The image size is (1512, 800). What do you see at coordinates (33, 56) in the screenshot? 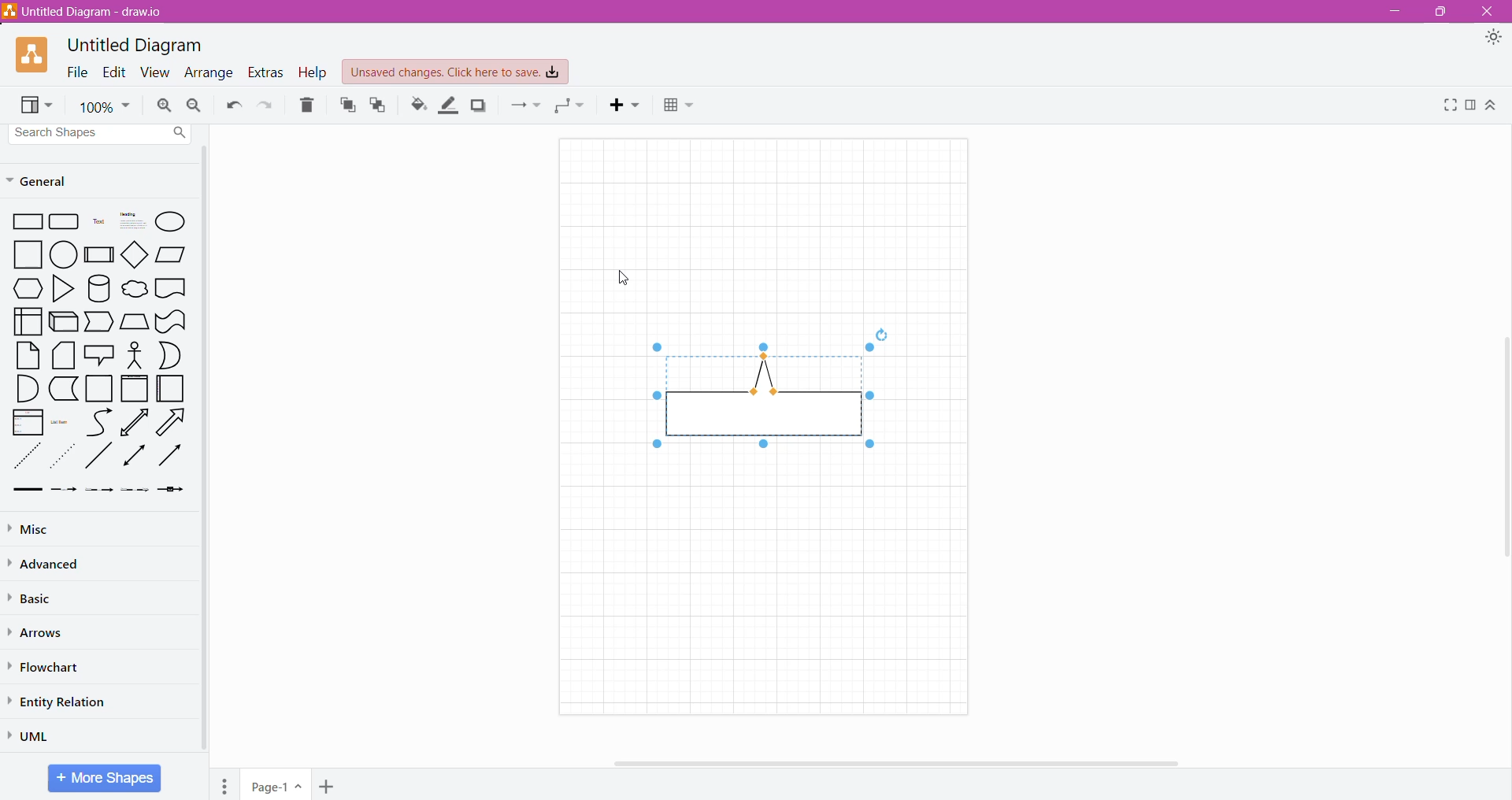
I see `Application Logo` at bounding box center [33, 56].